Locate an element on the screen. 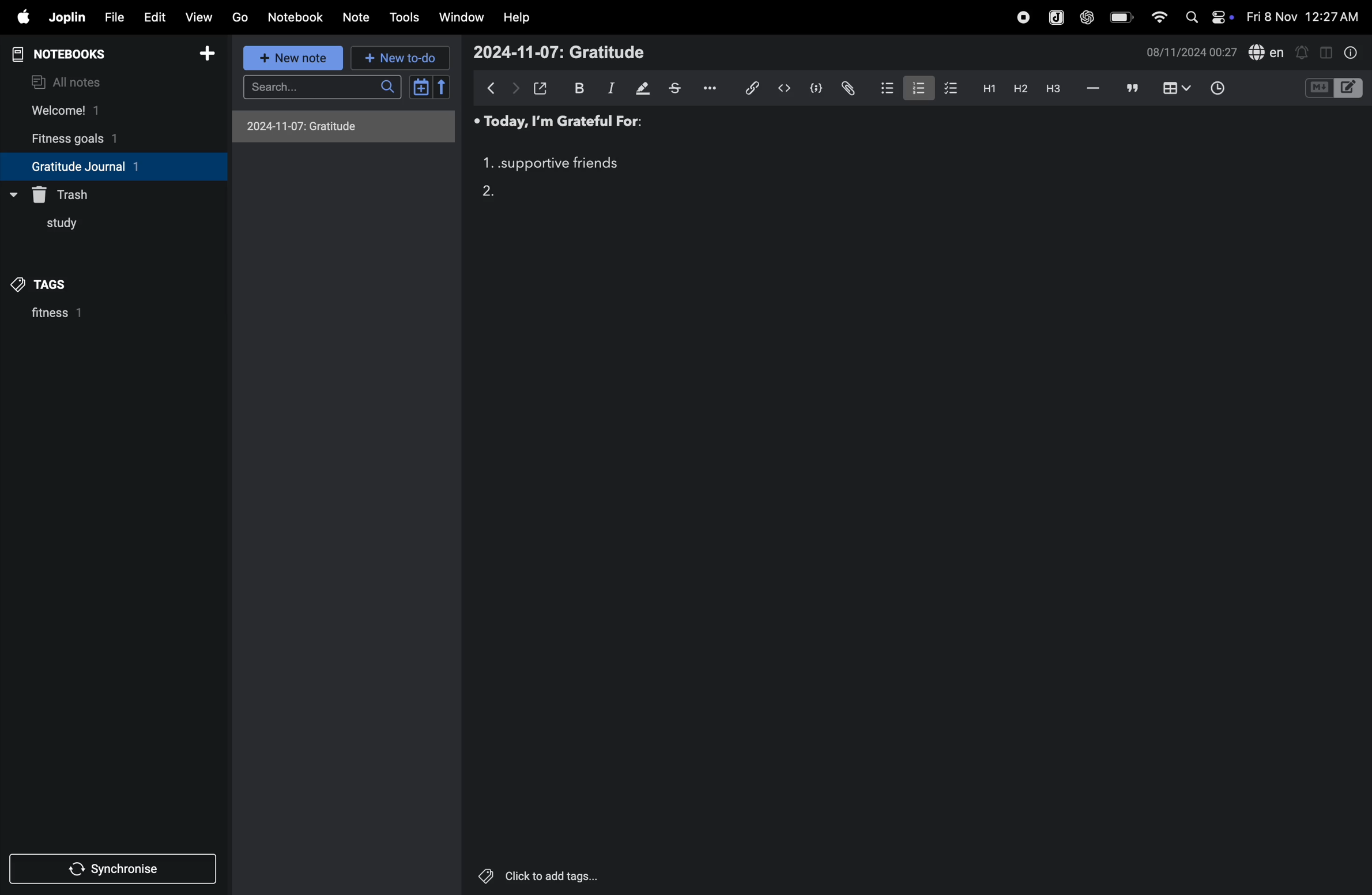 This screenshot has width=1372, height=895. italic is located at coordinates (610, 89).